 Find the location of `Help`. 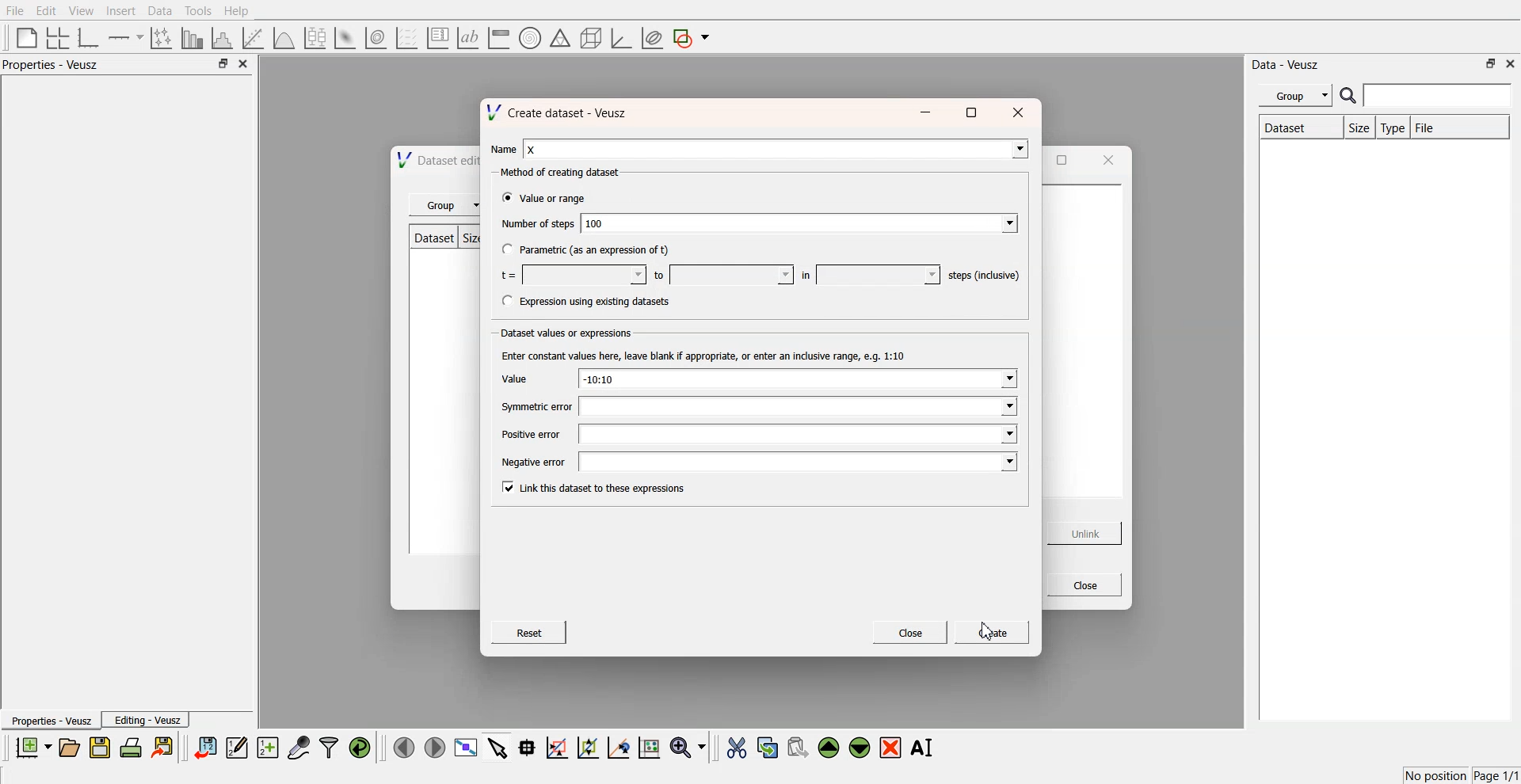

Help is located at coordinates (242, 13).